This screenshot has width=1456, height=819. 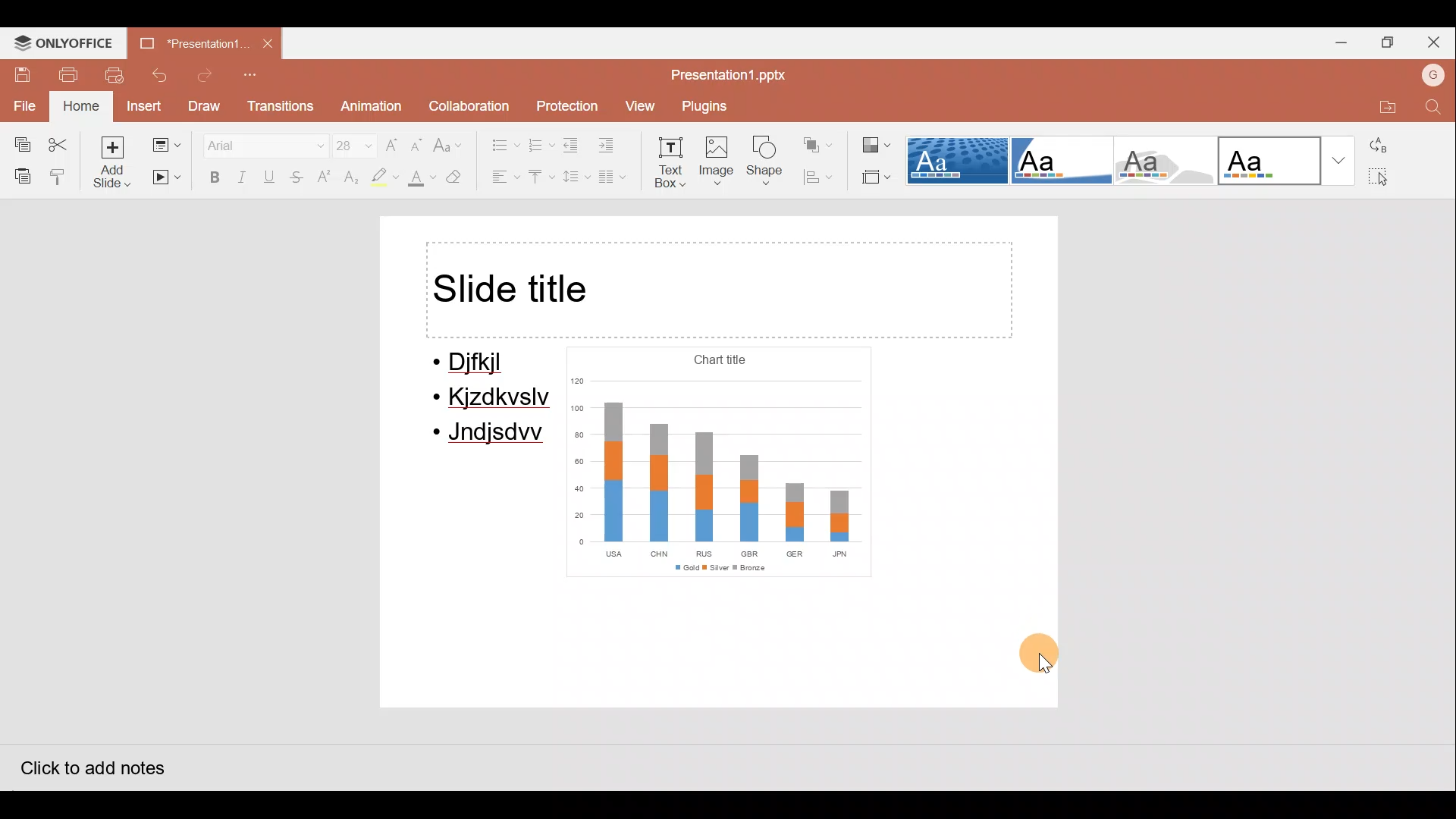 I want to click on Chart, so click(x=716, y=463).